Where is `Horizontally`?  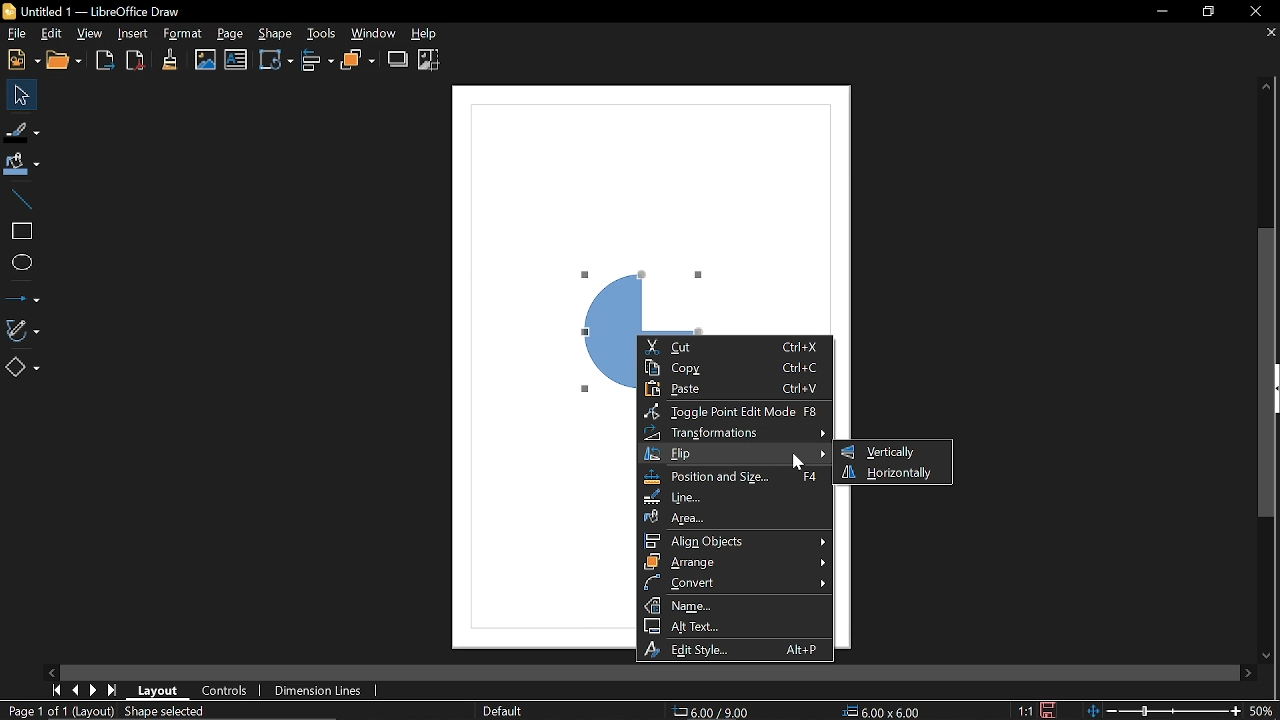 Horizontally is located at coordinates (889, 473).